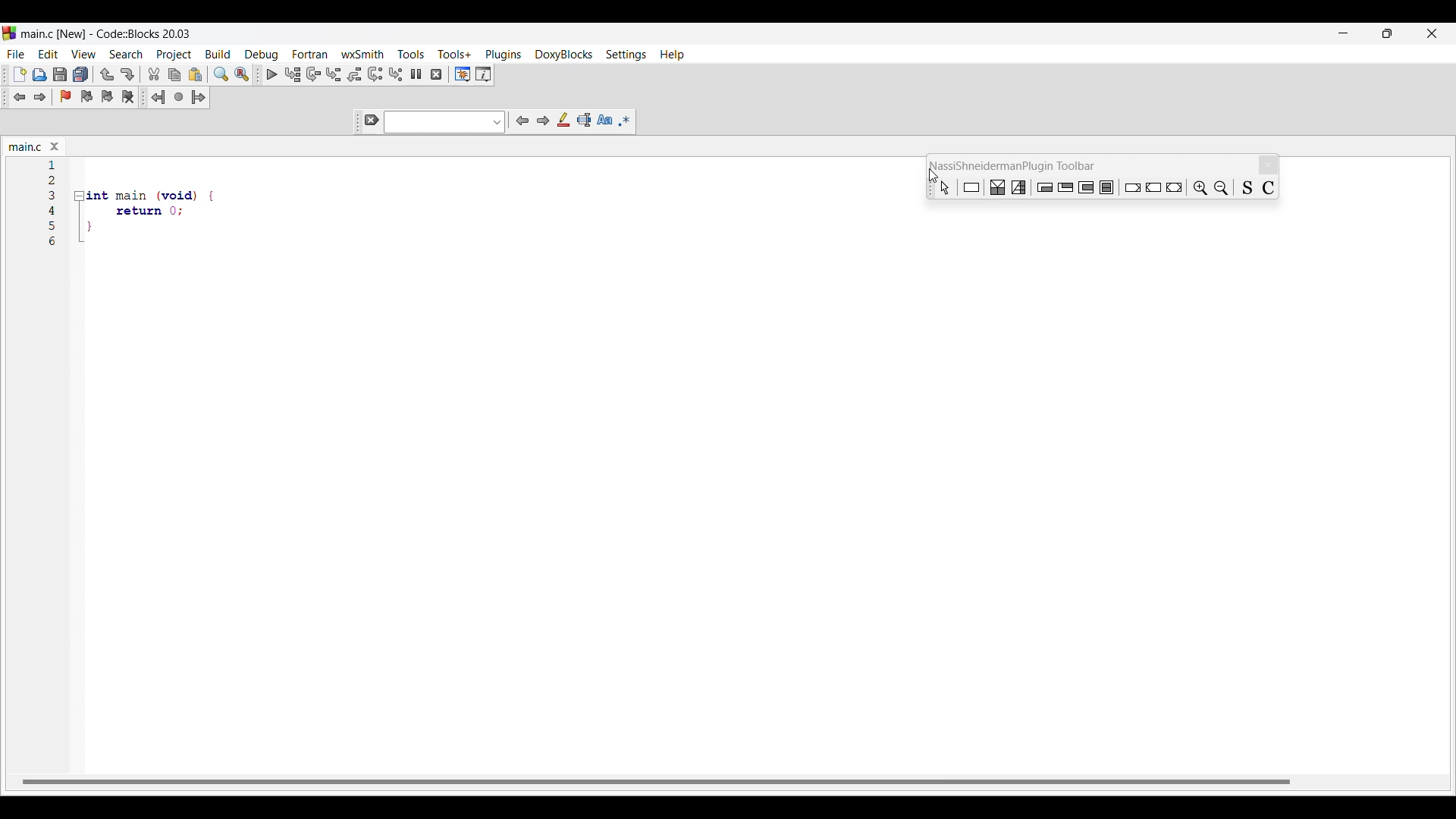  Describe the element at coordinates (1019, 165) in the screenshot. I see `Toolbar title` at that location.